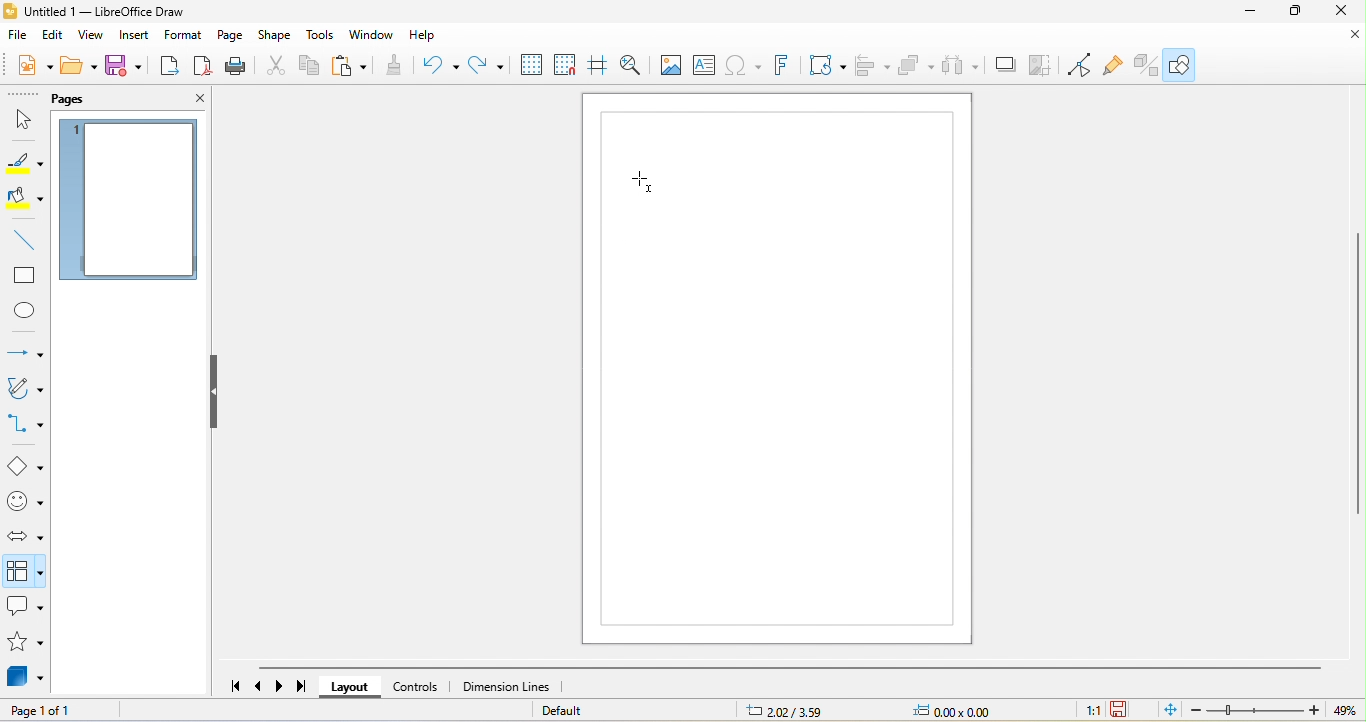  I want to click on layout, so click(349, 687).